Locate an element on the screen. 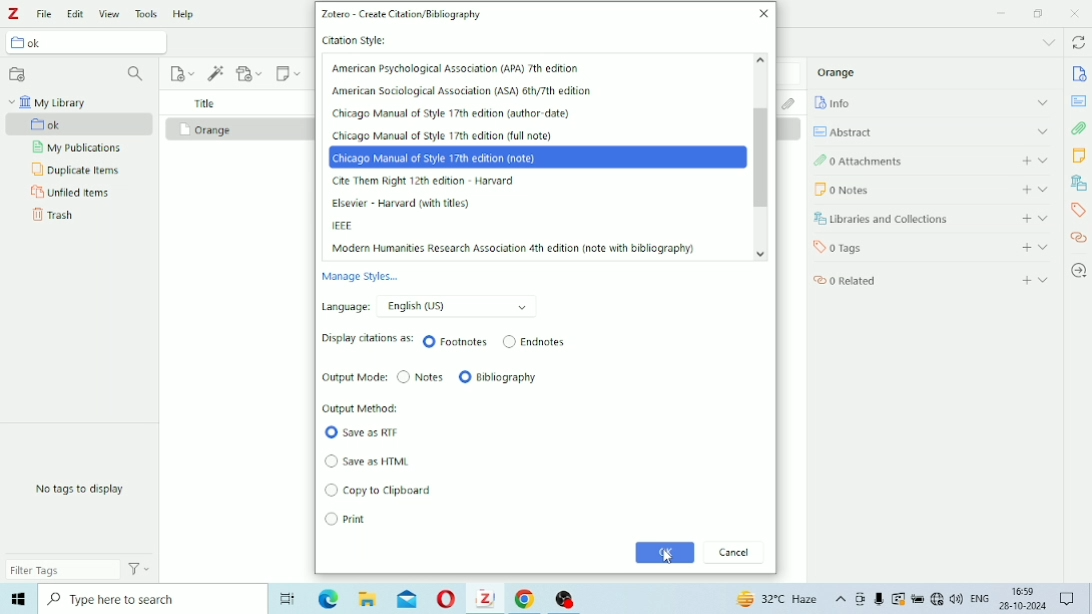 The height and width of the screenshot is (614, 1092). Abstract is located at coordinates (1078, 101).